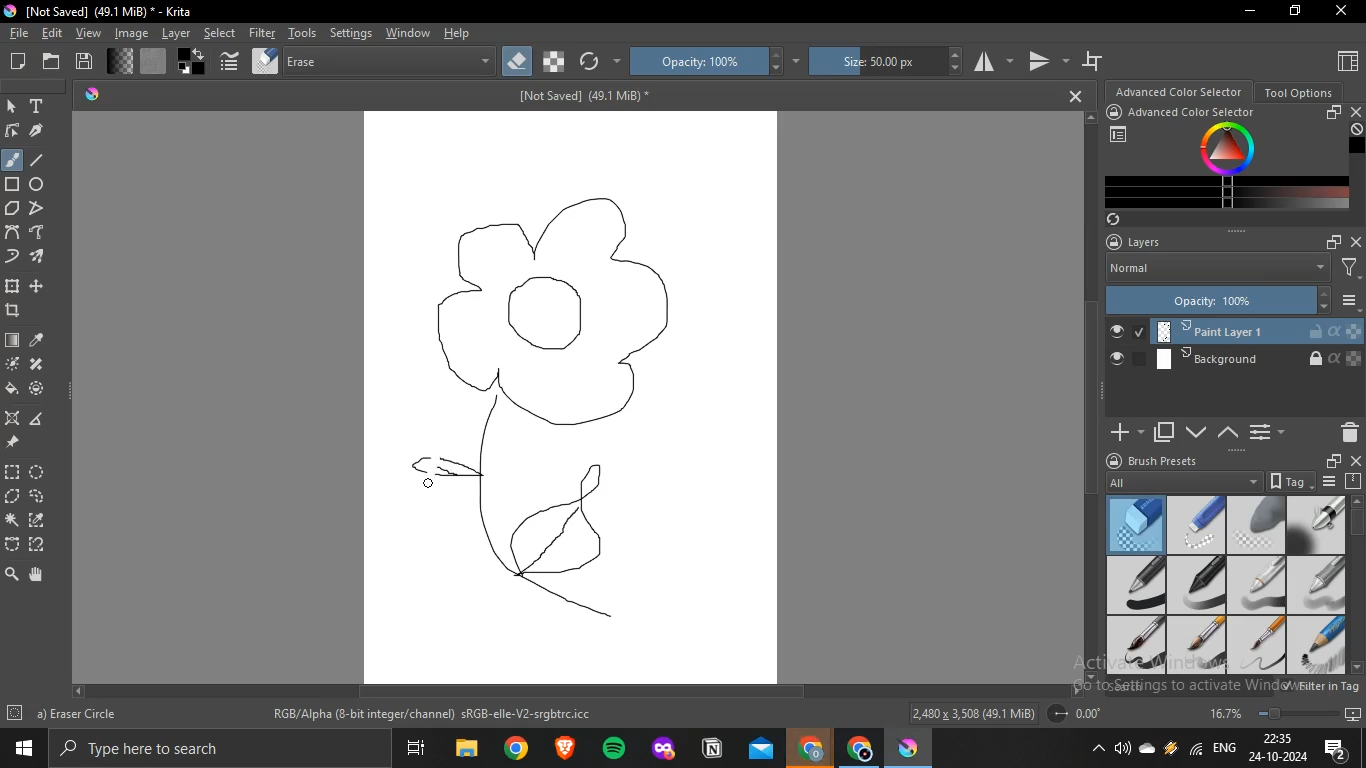  Describe the element at coordinates (1229, 433) in the screenshot. I see `mask up` at that location.